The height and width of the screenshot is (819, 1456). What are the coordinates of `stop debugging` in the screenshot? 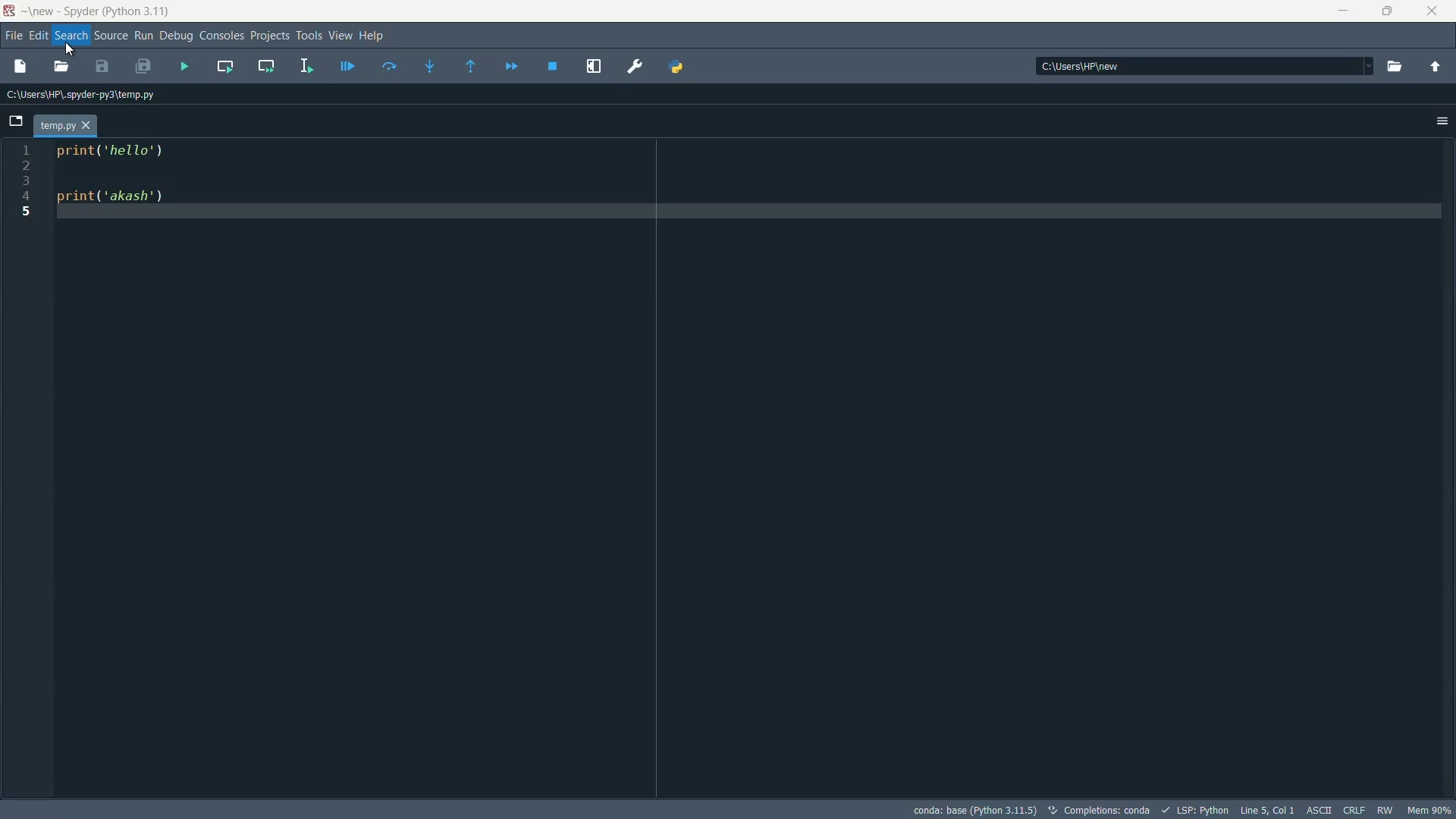 It's located at (552, 66).